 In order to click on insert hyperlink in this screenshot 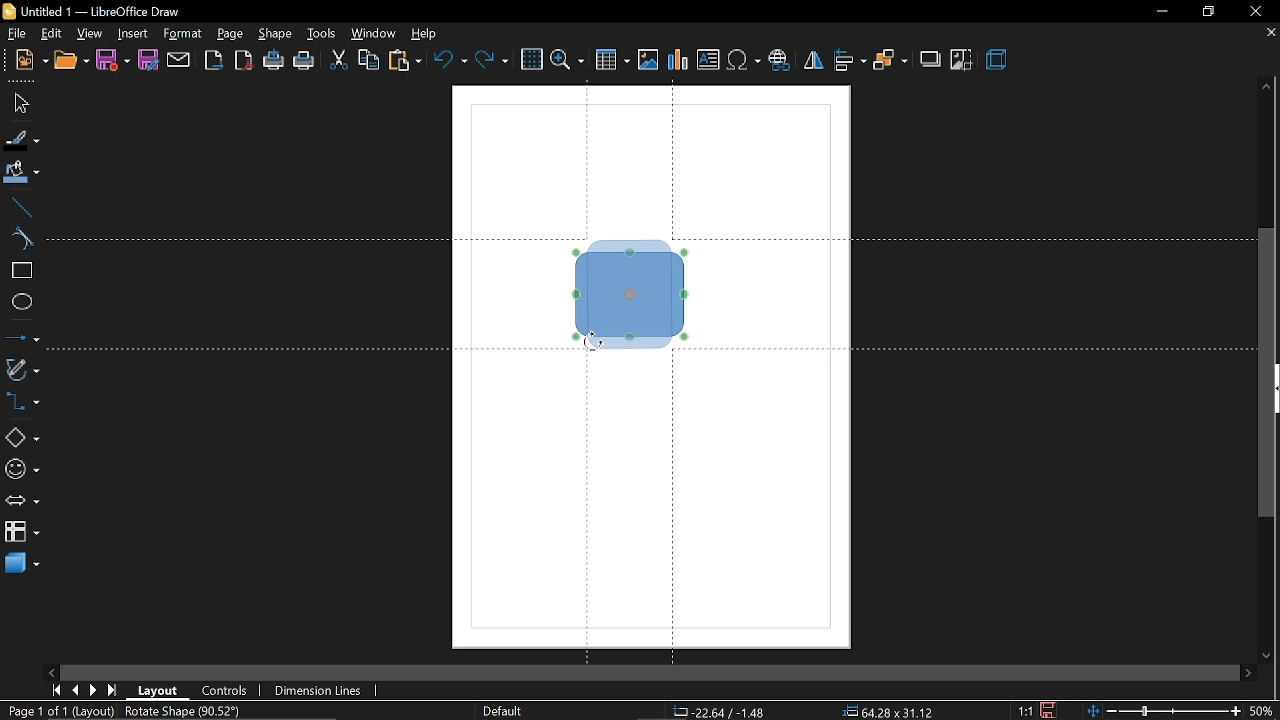, I will do `click(780, 62)`.